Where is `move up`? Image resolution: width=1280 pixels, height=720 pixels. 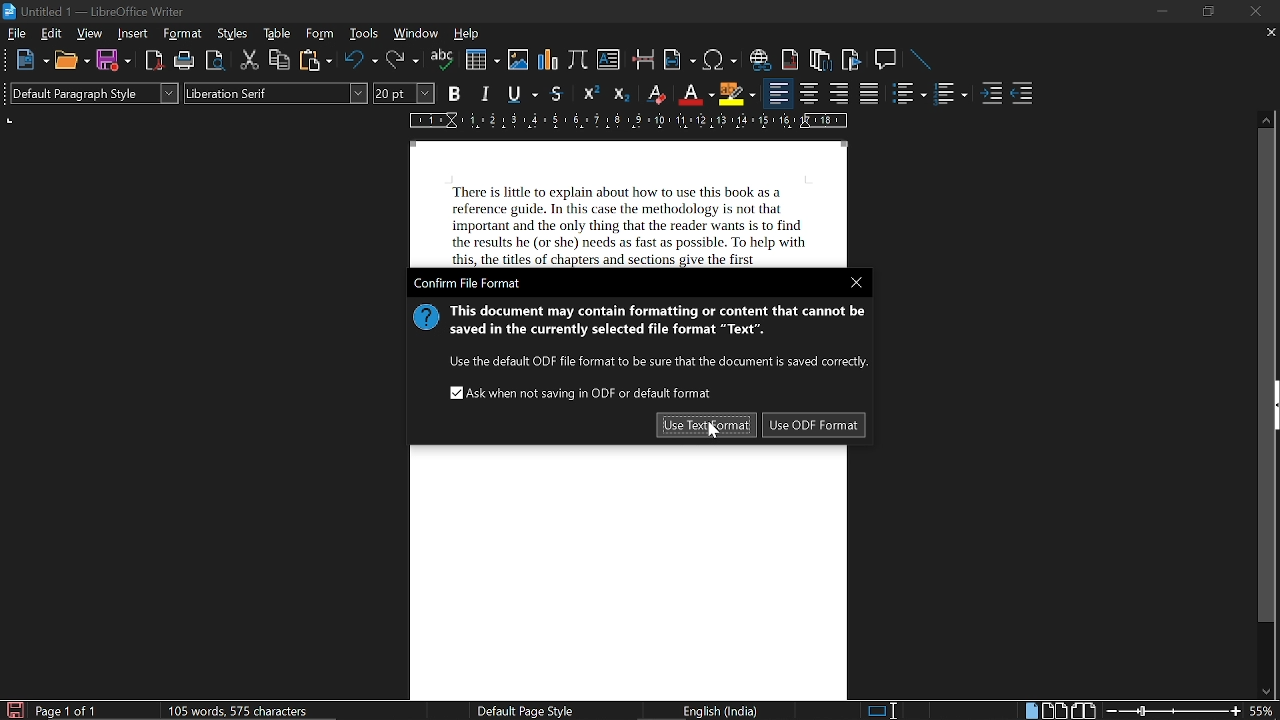 move up is located at coordinates (1266, 119).